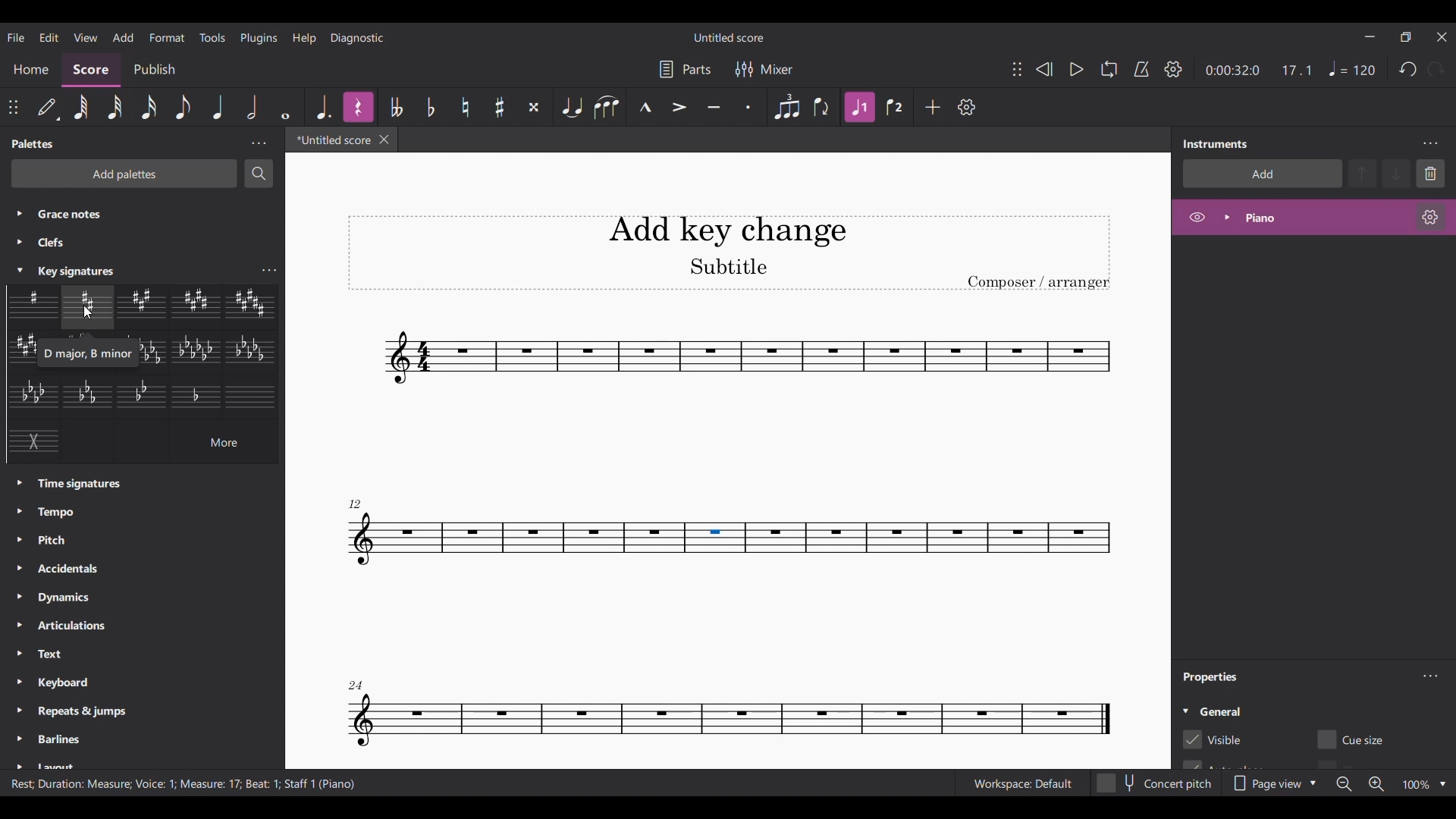  What do you see at coordinates (143, 375) in the screenshot?
I see `Key signature options` at bounding box center [143, 375].